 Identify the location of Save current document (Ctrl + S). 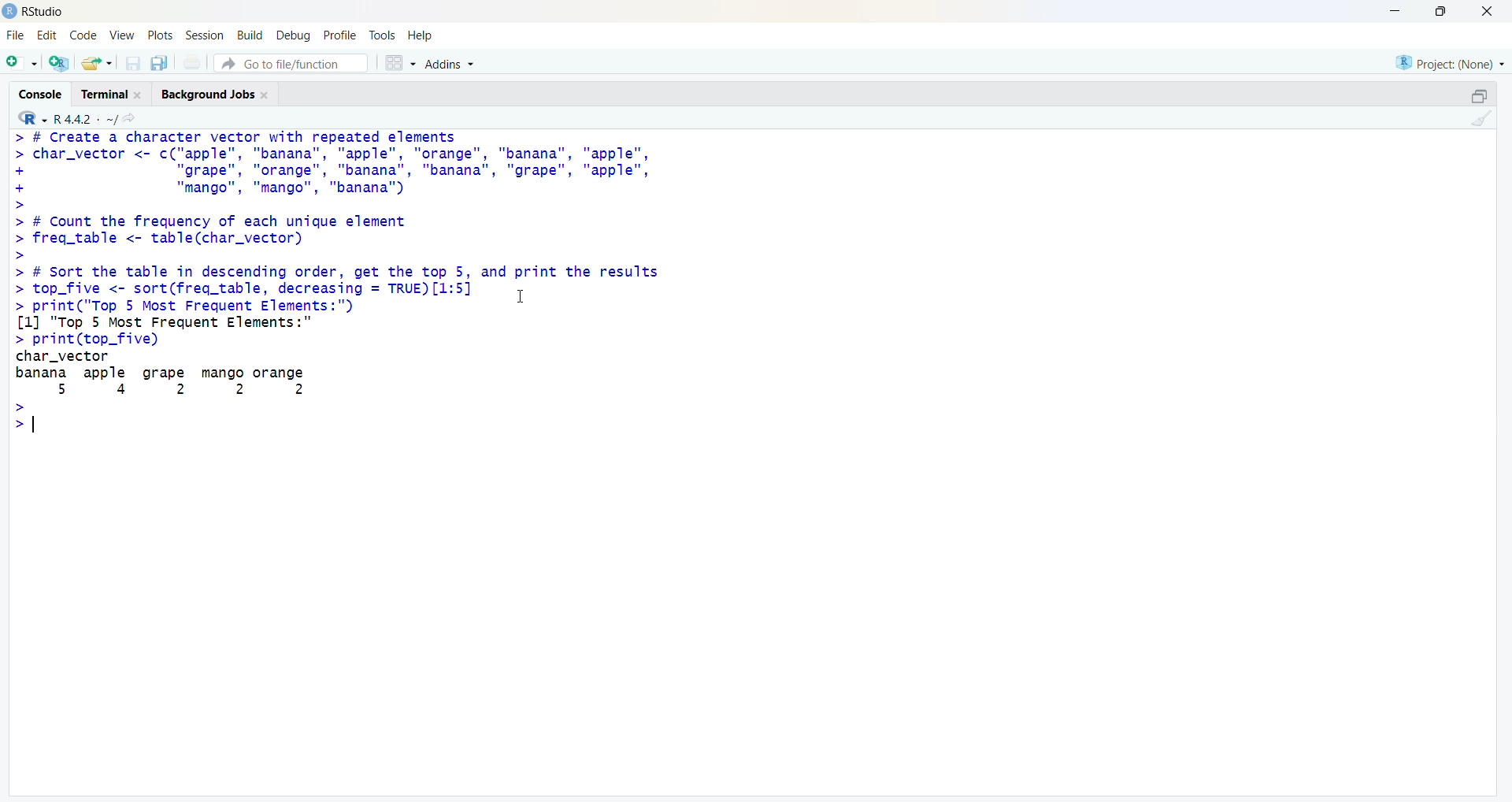
(132, 63).